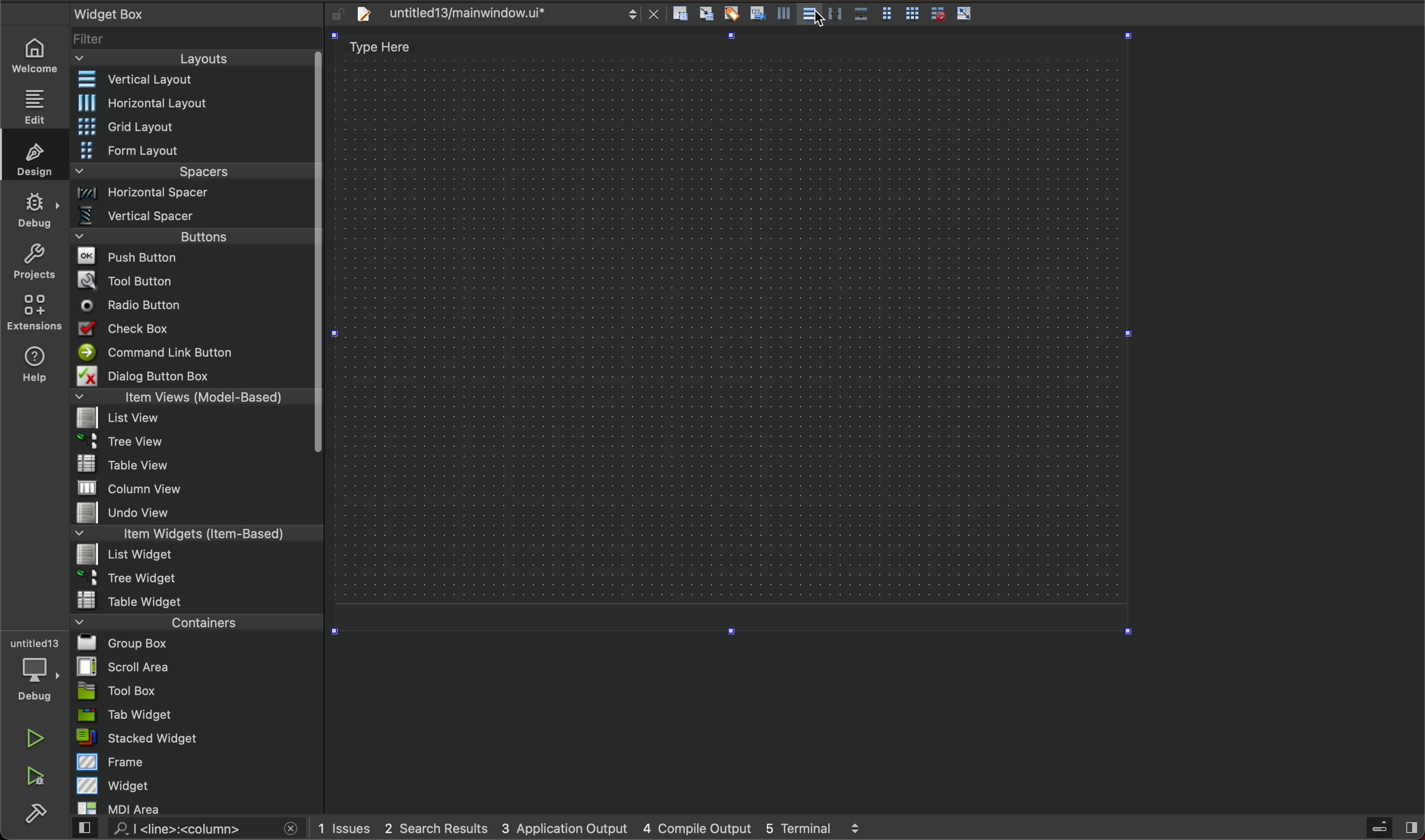  What do you see at coordinates (192, 172) in the screenshot?
I see `spacers` at bounding box center [192, 172].